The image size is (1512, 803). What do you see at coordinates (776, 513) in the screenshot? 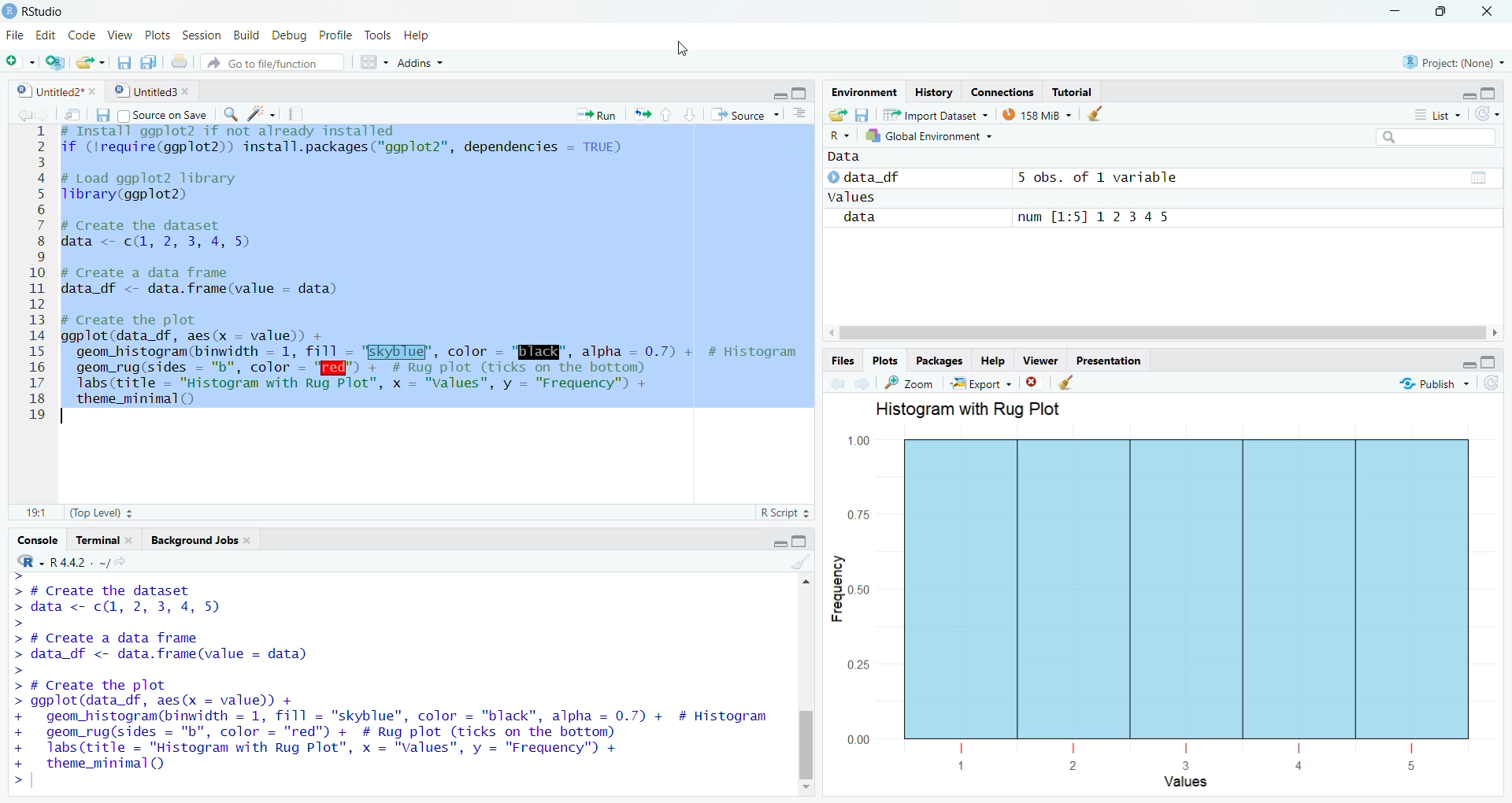
I see `R Script 2` at bounding box center [776, 513].